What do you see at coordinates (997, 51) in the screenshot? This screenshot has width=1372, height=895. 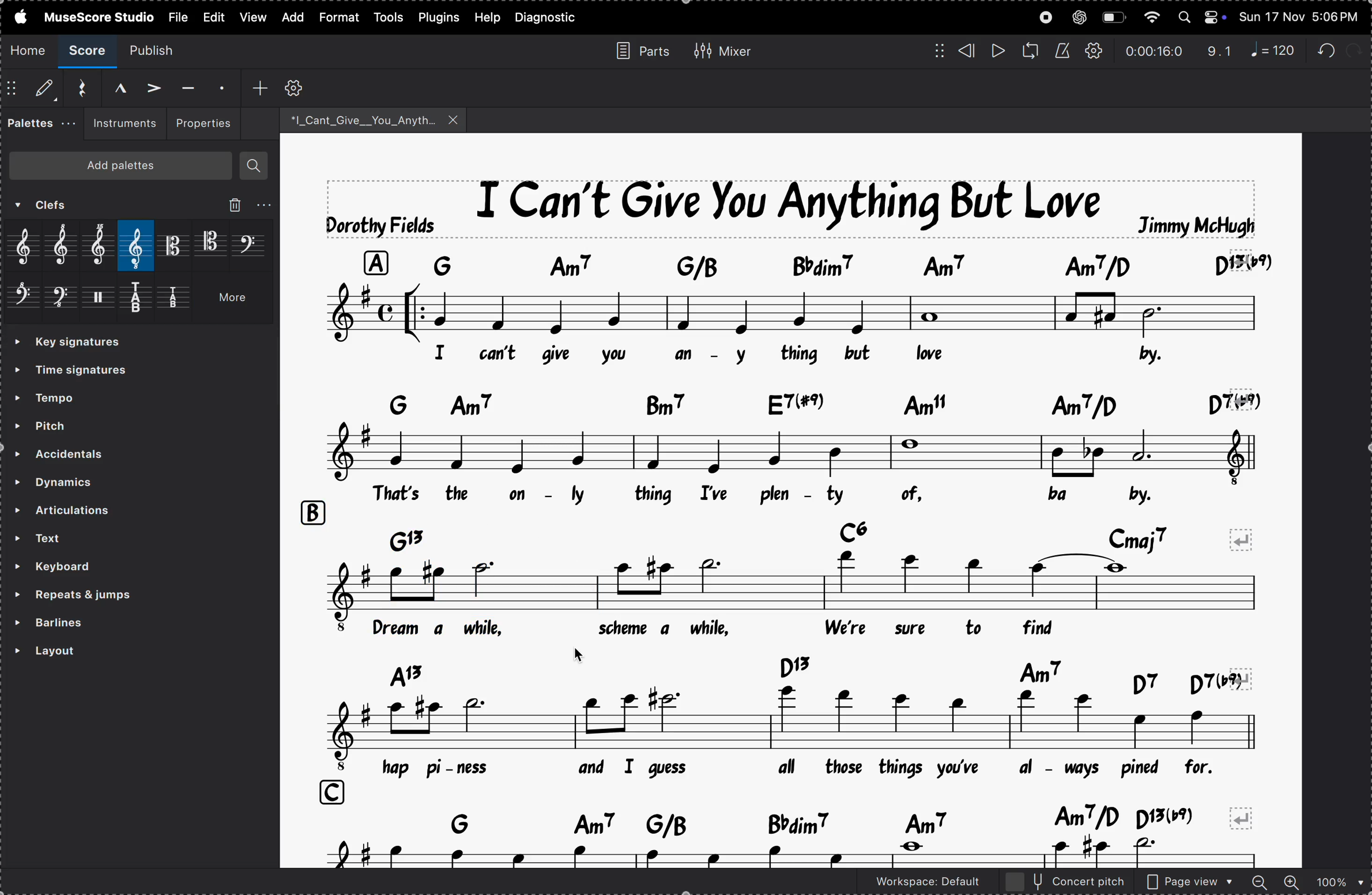 I see `play` at bounding box center [997, 51].